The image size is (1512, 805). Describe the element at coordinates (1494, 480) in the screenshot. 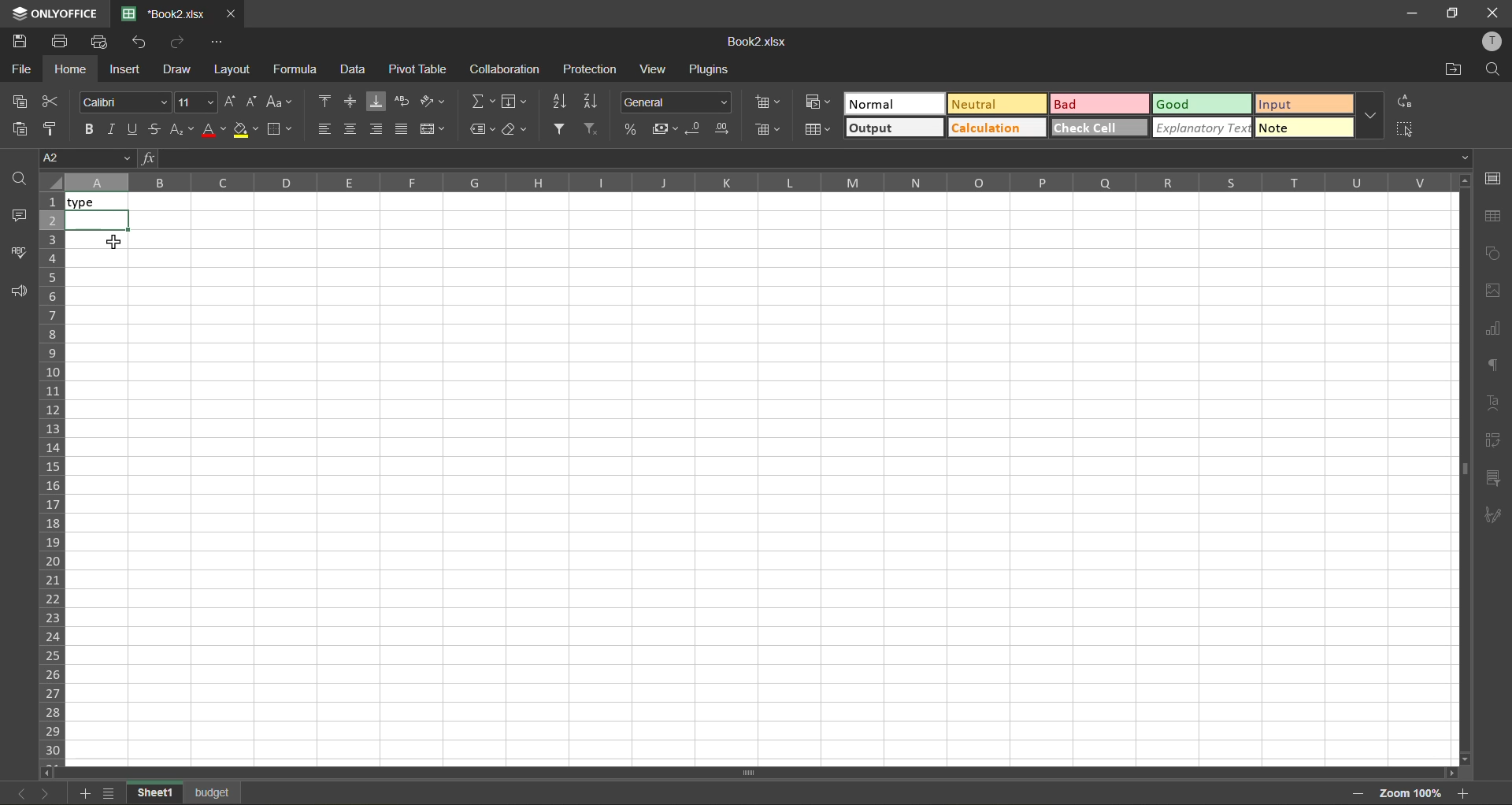

I see `slicer` at that location.